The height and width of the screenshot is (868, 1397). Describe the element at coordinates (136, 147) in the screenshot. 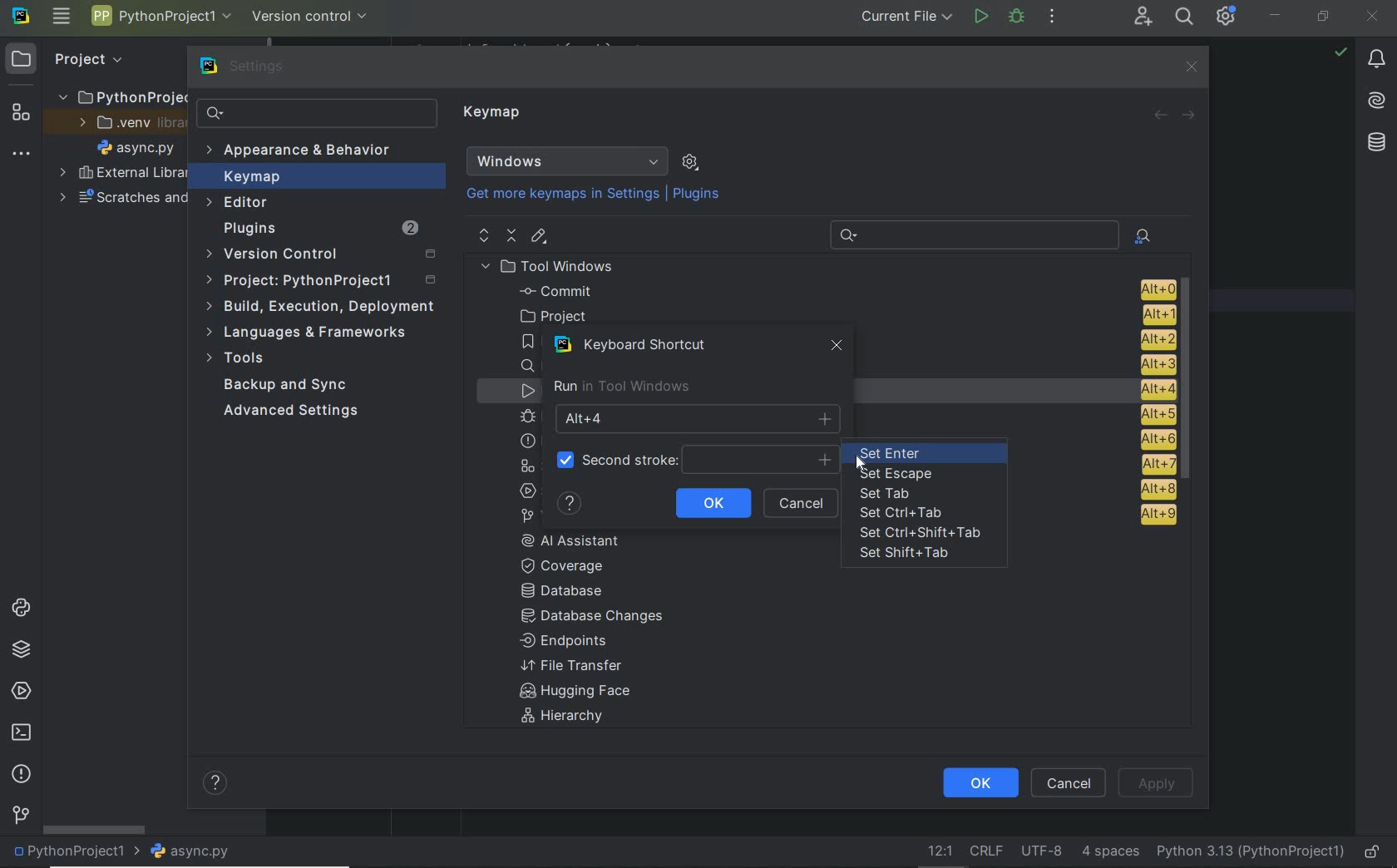

I see `file name` at that location.